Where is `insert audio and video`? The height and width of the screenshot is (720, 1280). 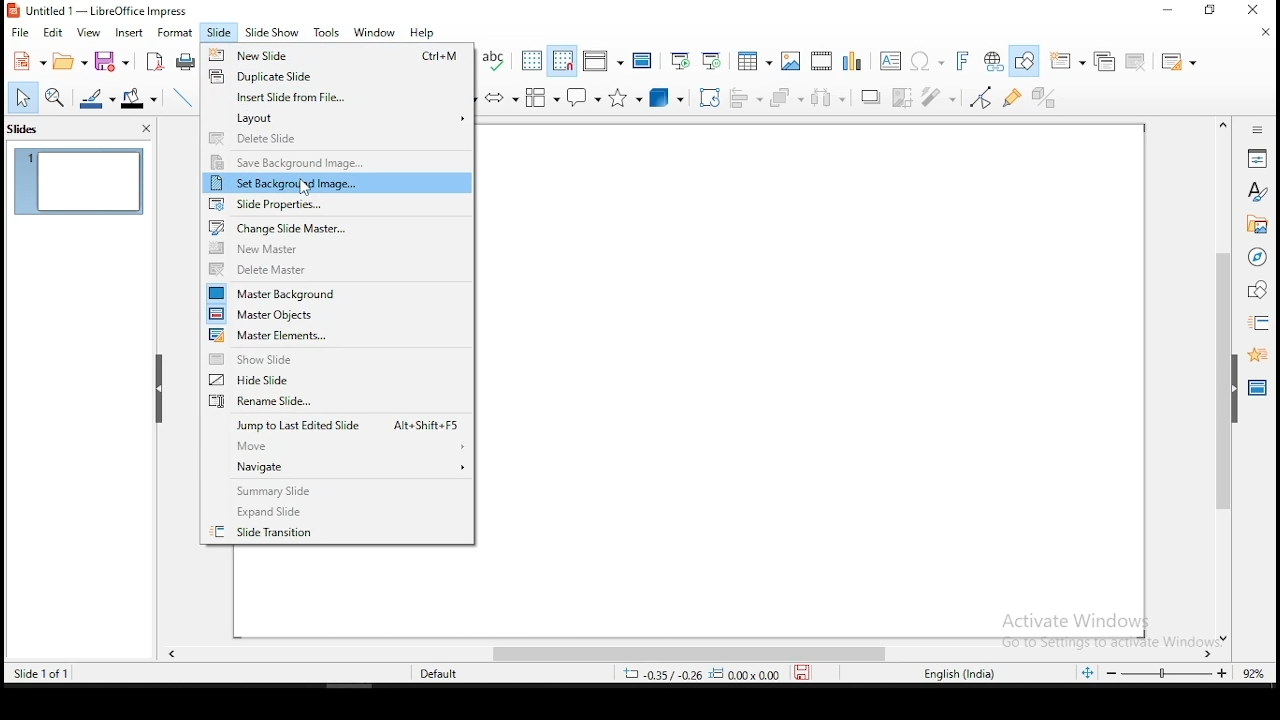 insert audio and video is located at coordinates (822, 61).